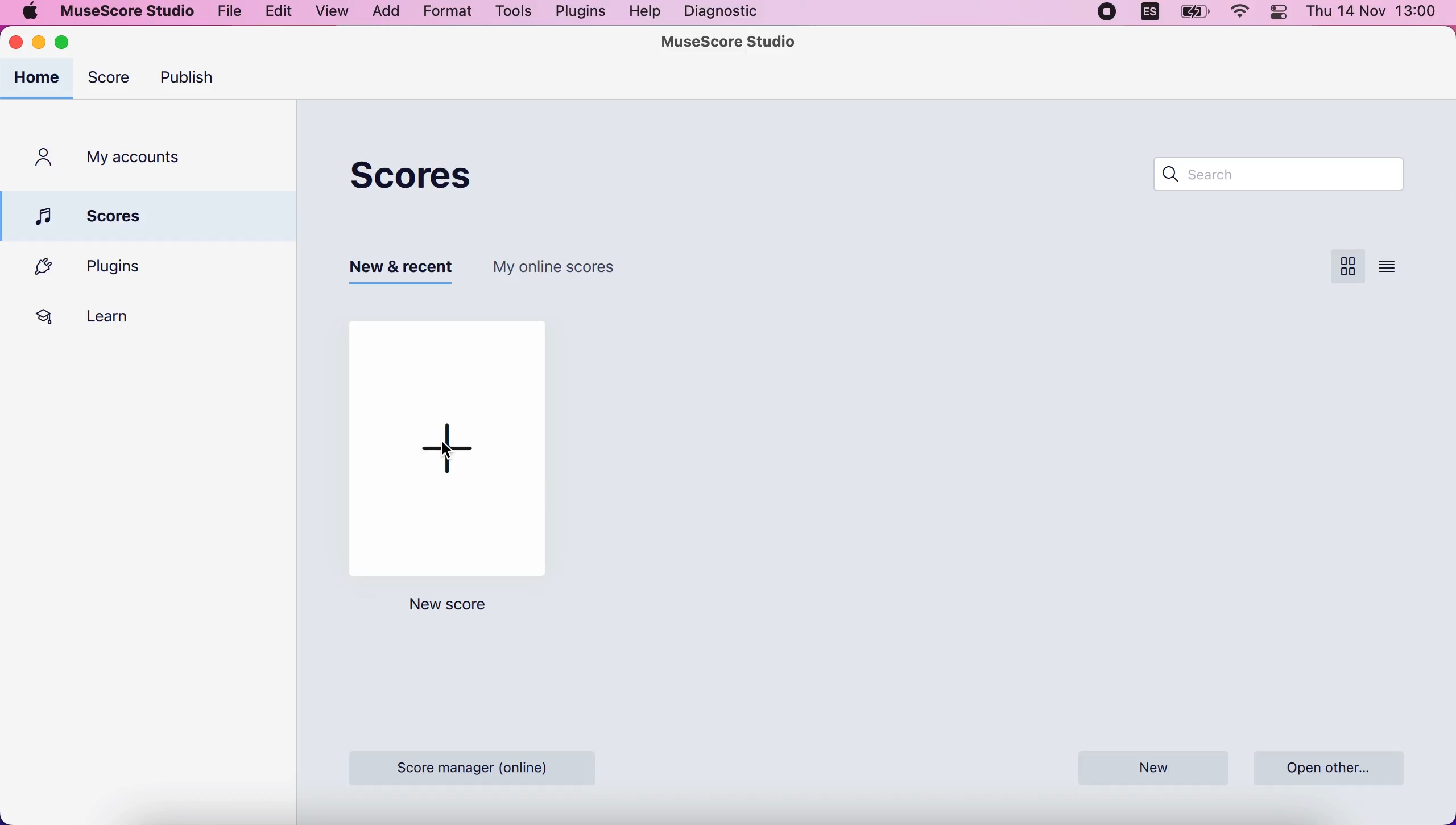 The width and height of the screenshot is (1456, 825). I want to click on language, so click(1147, 15).